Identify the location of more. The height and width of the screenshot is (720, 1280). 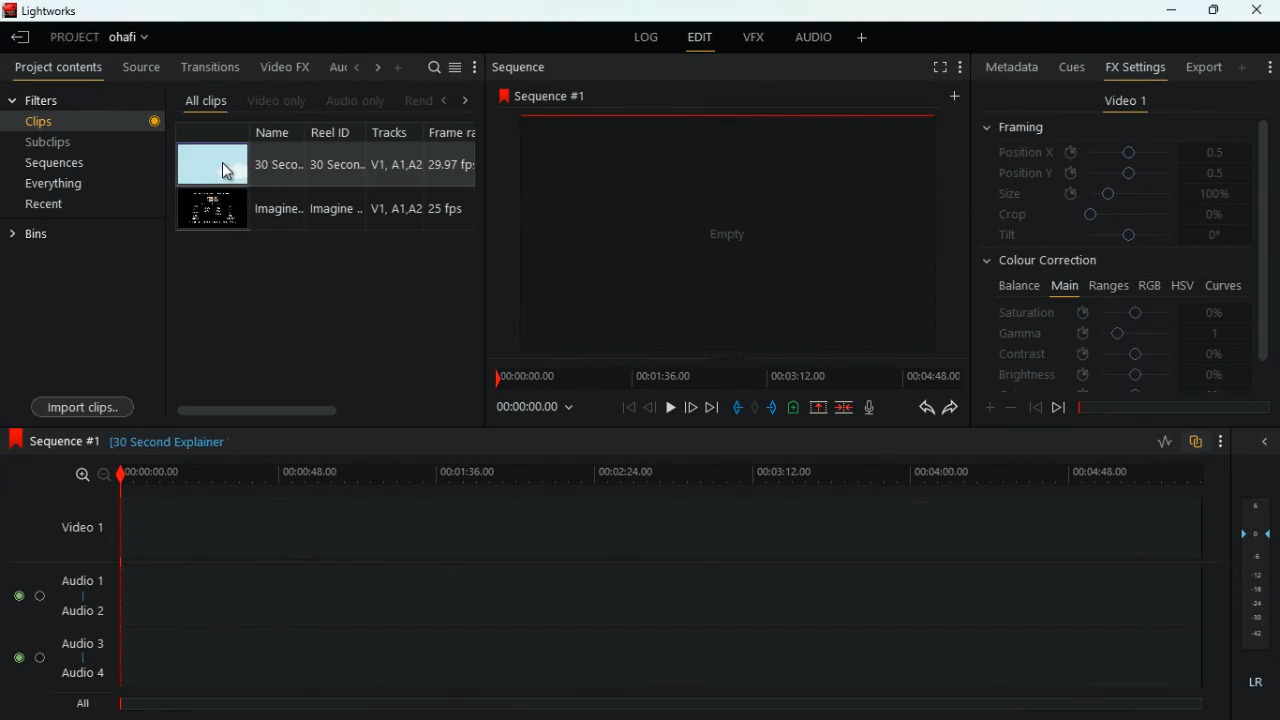
(990, 406).